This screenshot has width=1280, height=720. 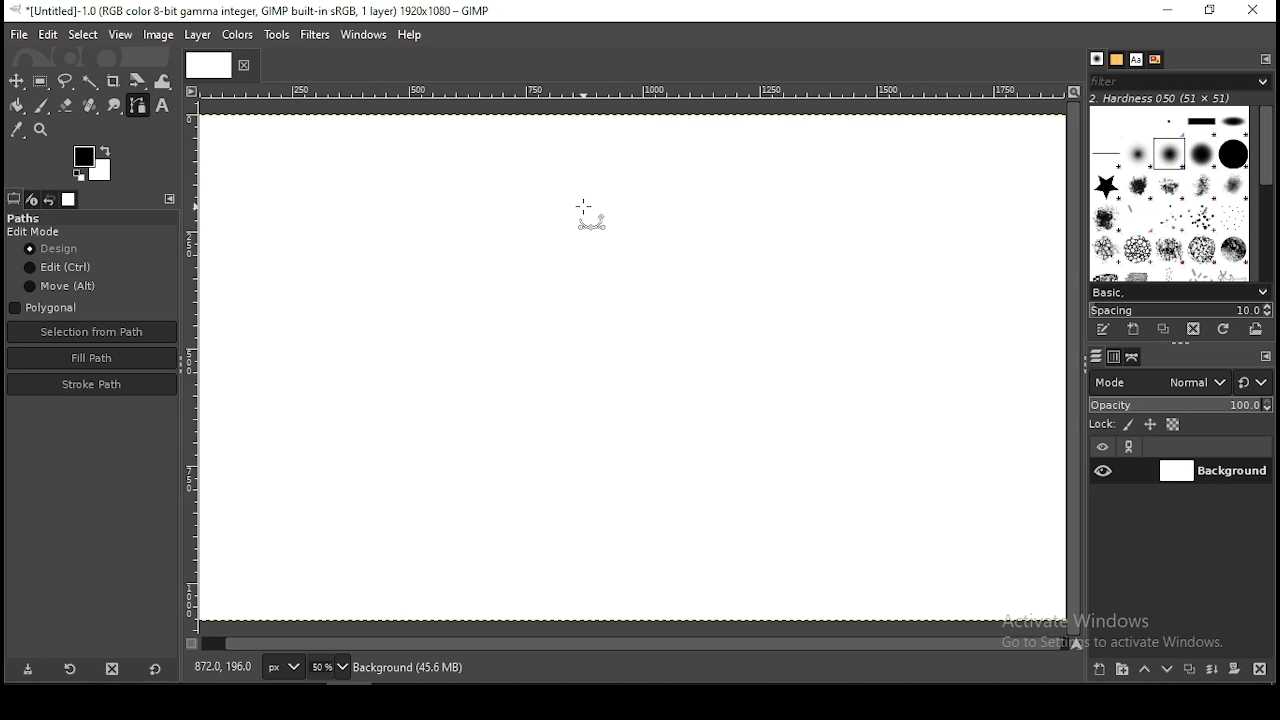 I want to click on paths tool, so click(x=138, y=106).